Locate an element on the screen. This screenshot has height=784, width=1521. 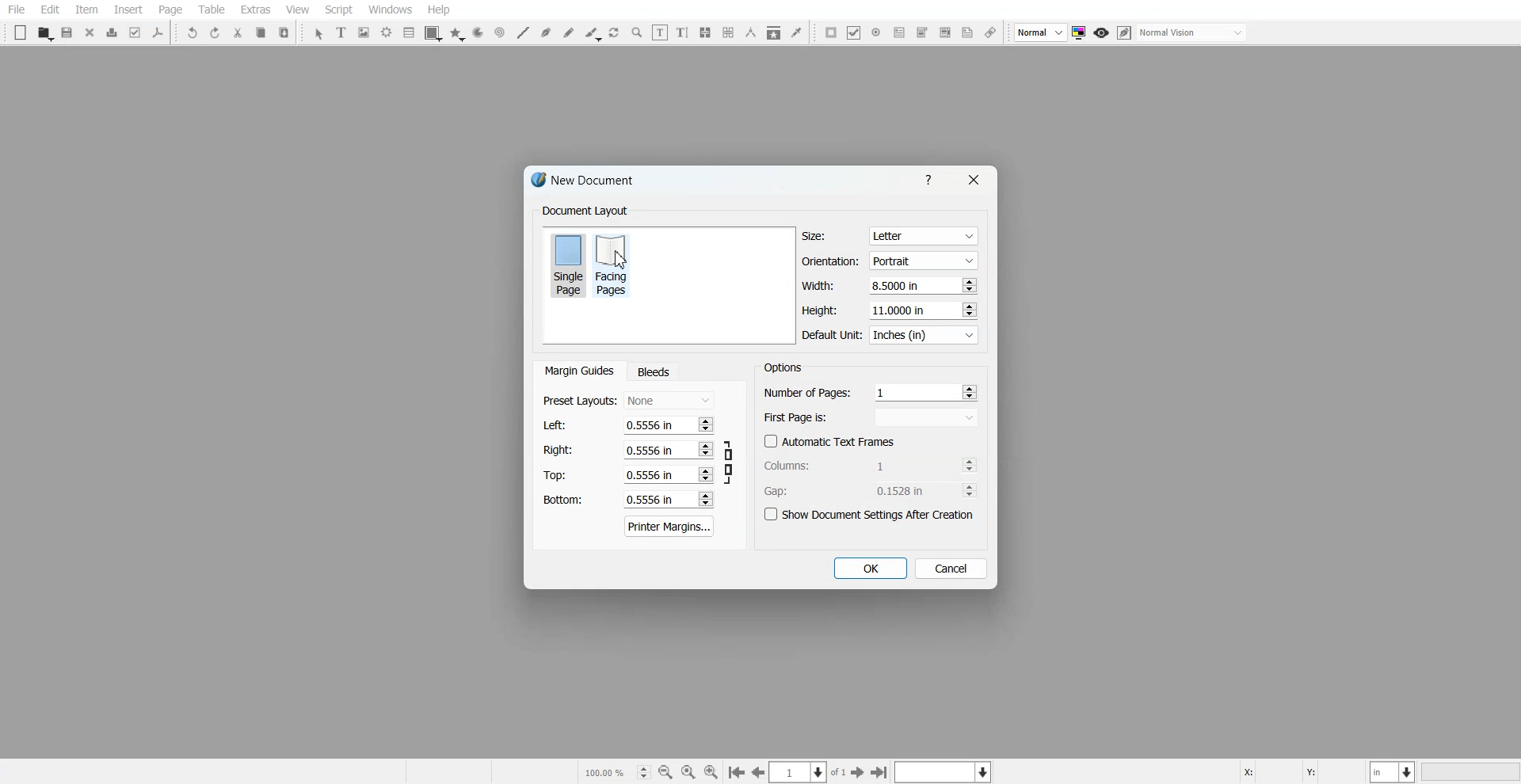
Print is located at coordinates (112, 32).